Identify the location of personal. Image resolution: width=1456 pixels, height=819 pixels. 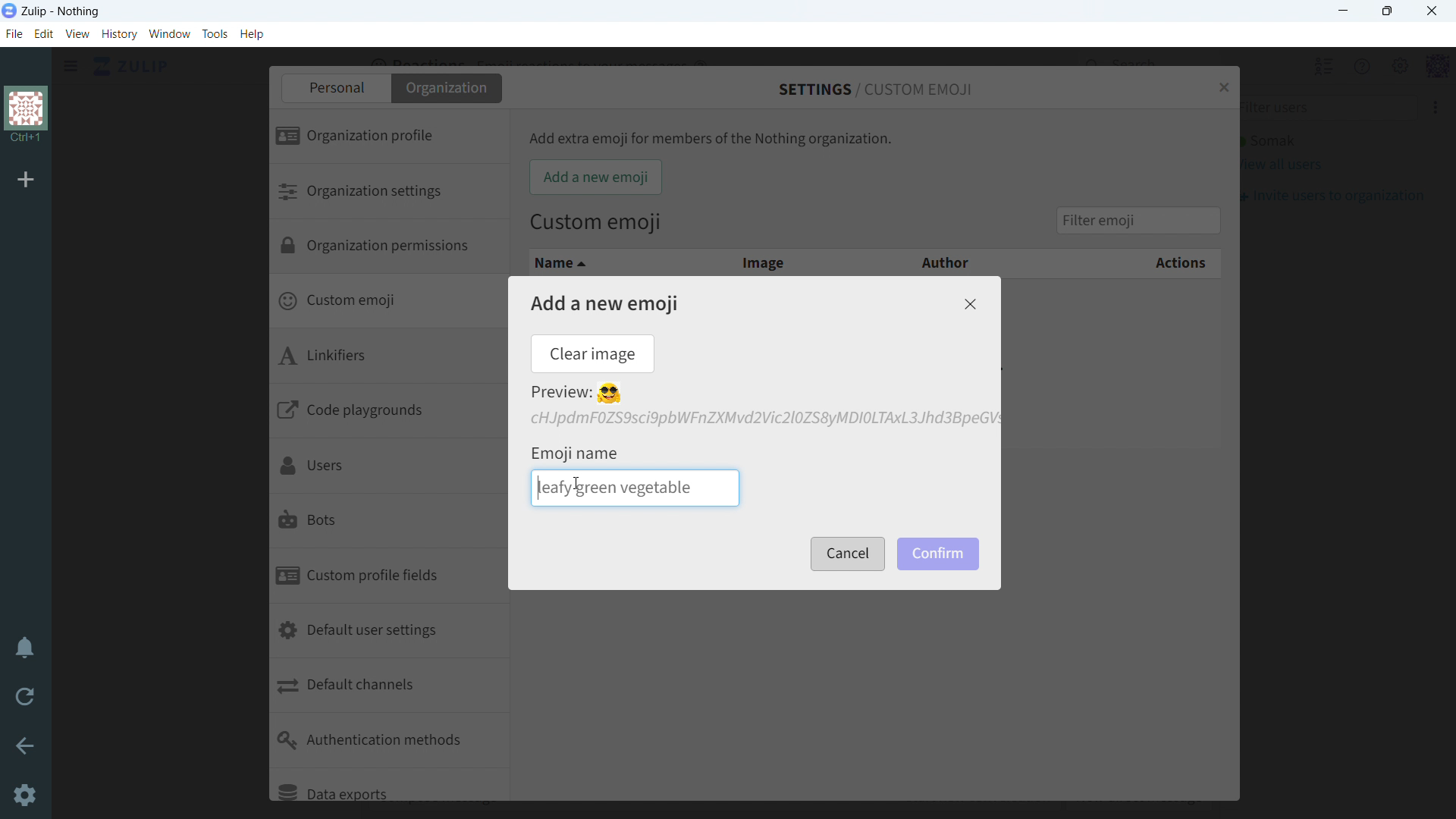
(334, 88).